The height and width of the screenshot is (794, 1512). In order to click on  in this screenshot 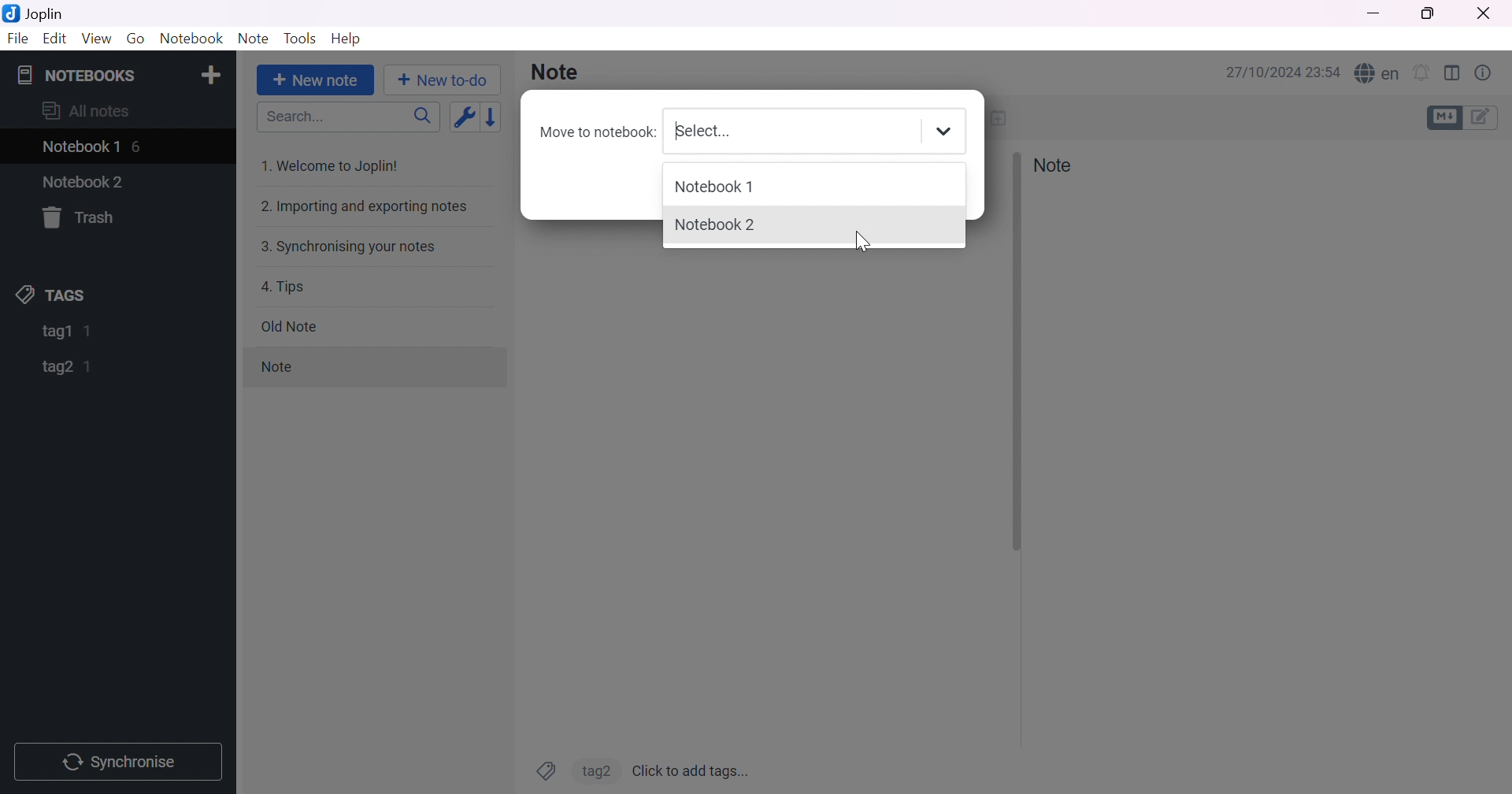, I will do `click(1015, 351)`.